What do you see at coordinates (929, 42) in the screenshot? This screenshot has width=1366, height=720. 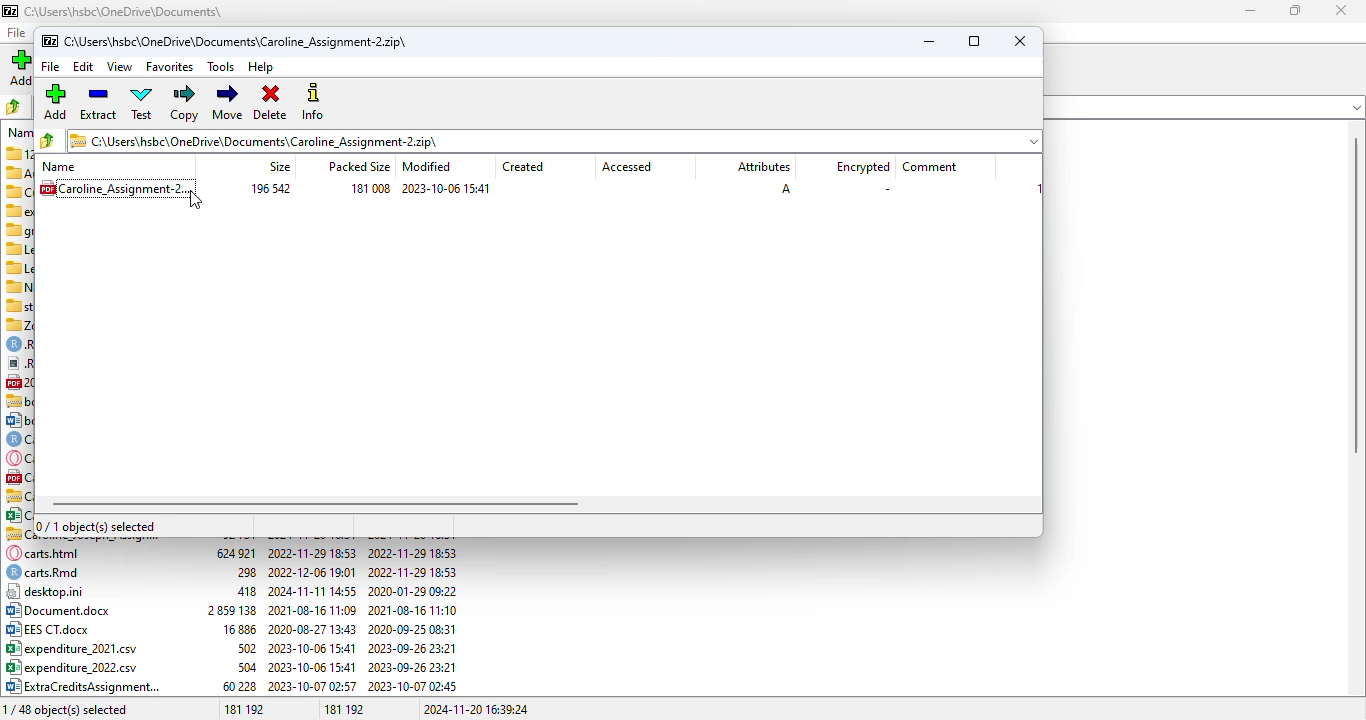 I see `minimize` at bounding box center [929, 42].